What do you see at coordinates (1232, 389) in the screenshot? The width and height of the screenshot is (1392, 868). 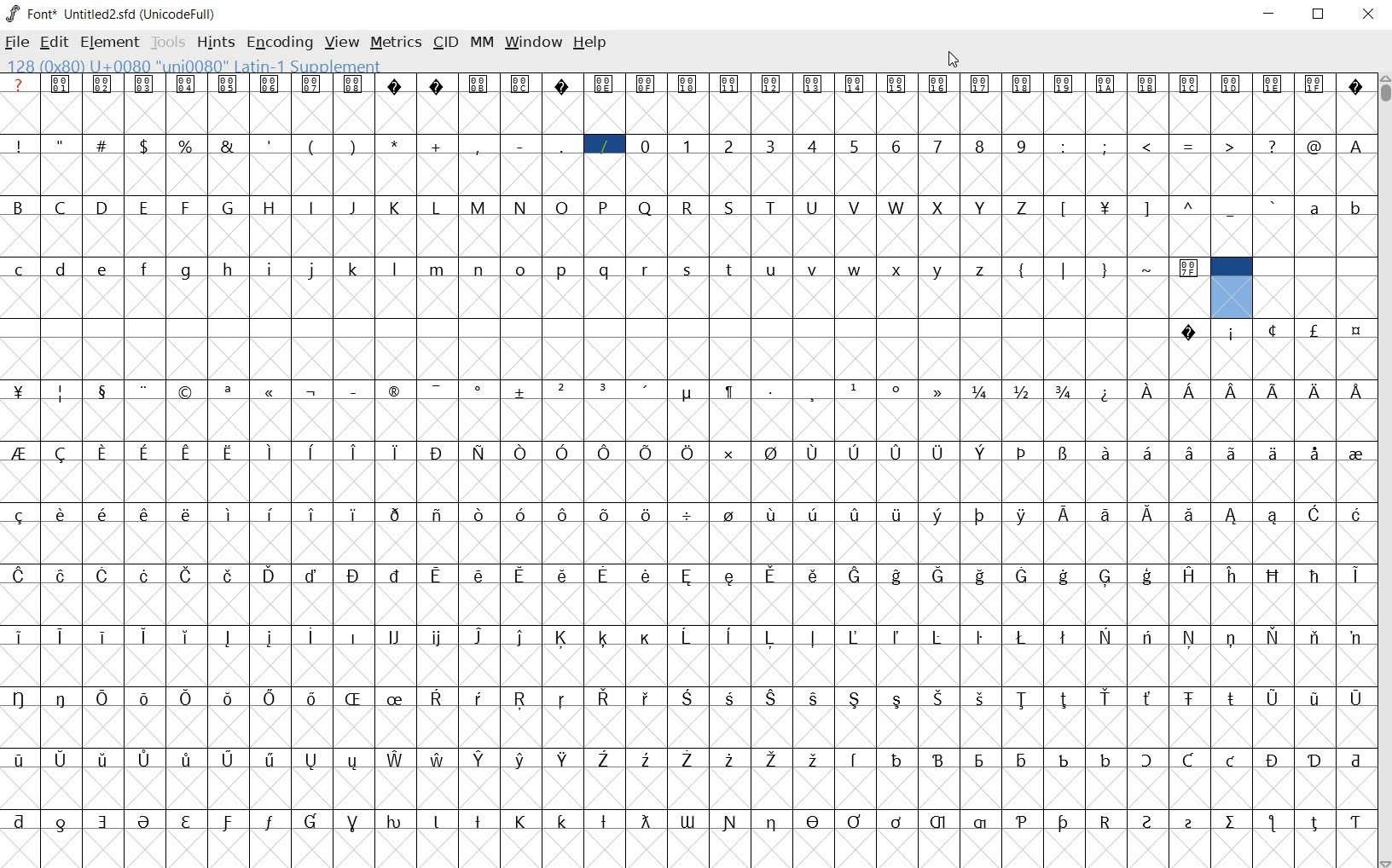 I see `Symbol` at bounding box center [1232, 389].